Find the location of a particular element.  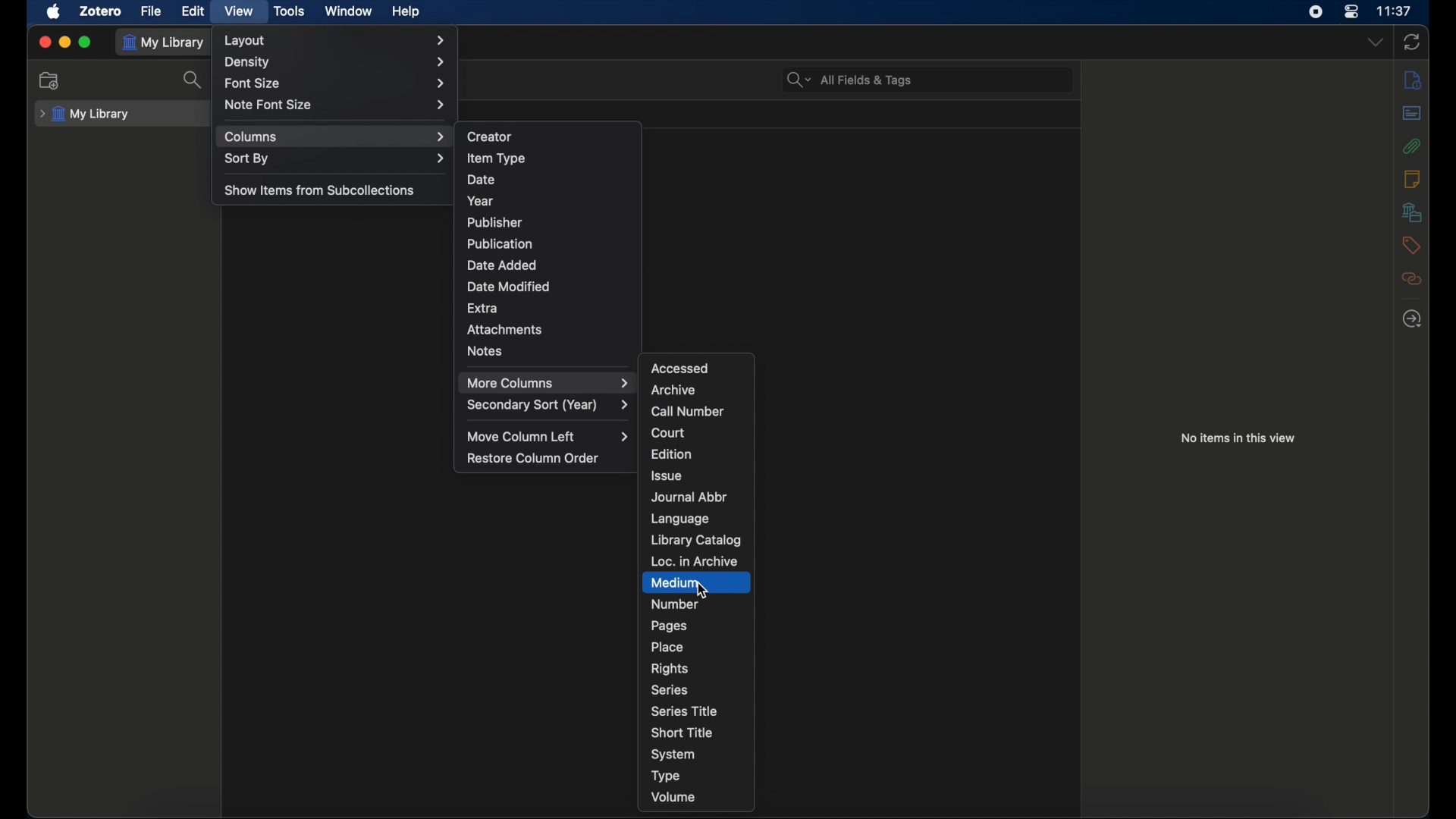

call number is located at coordinates (688, 412).